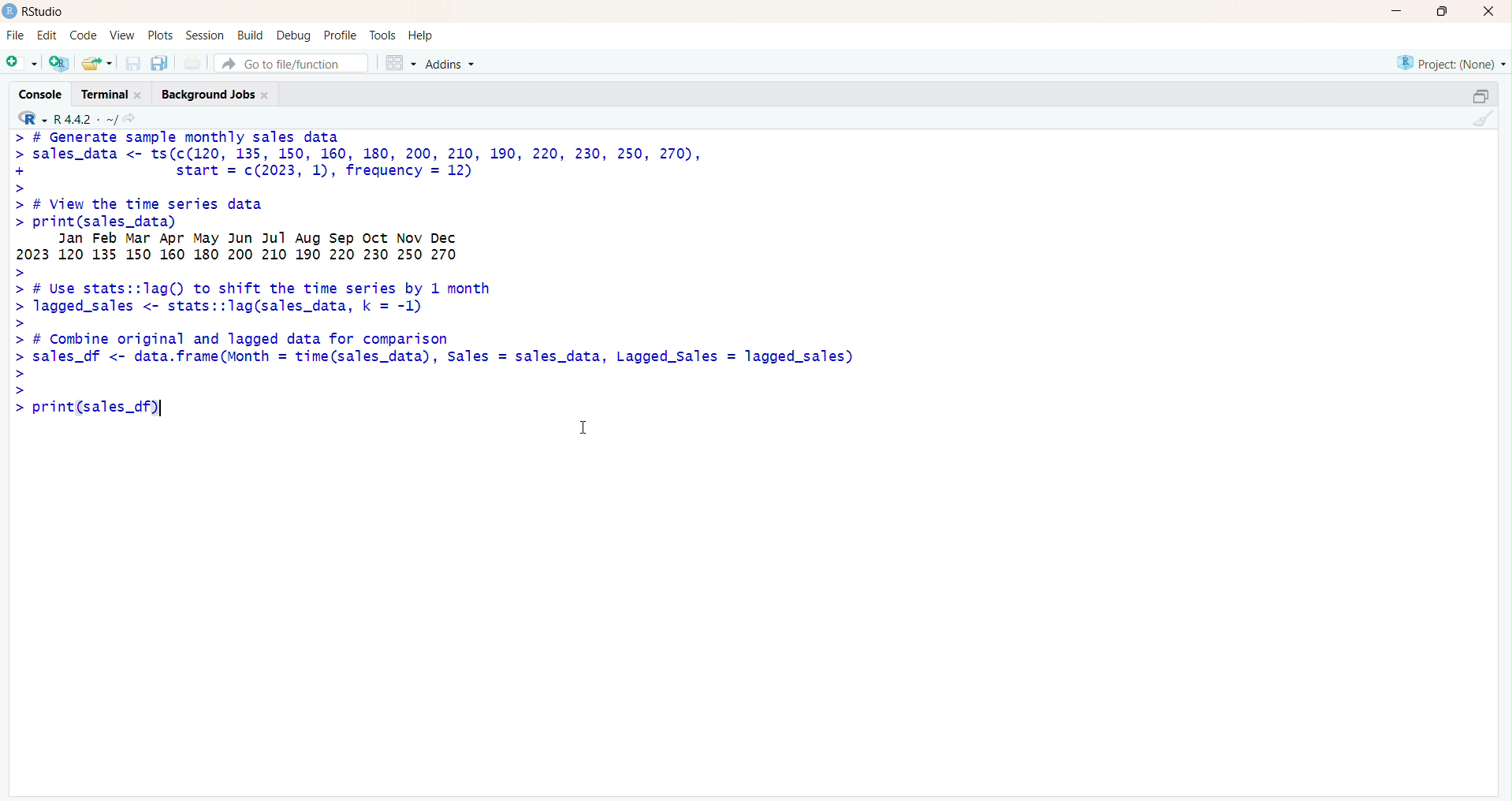  I want to click on go to file/function, so click(285, 64).